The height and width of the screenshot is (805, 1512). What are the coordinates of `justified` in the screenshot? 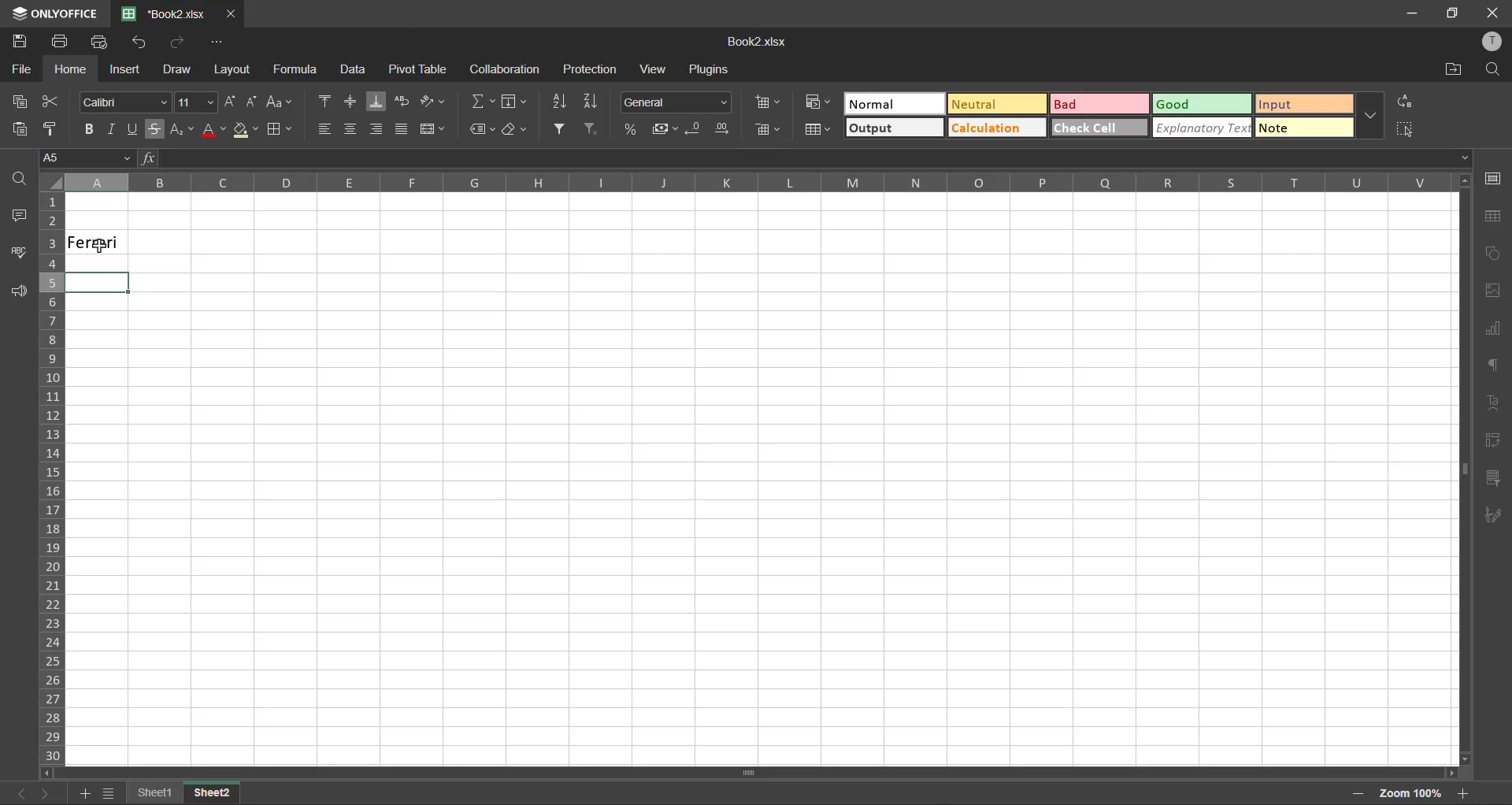 It's located at (404, 129).